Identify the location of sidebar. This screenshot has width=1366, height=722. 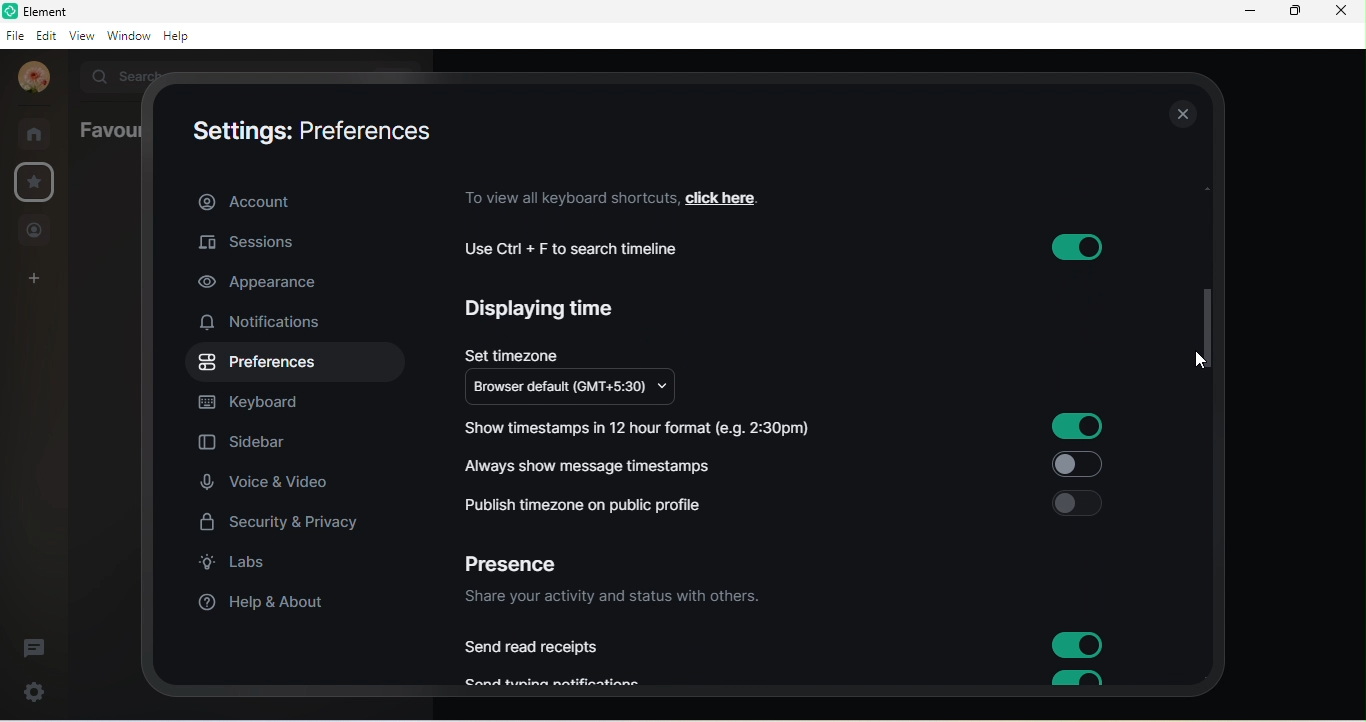
(245, 445).